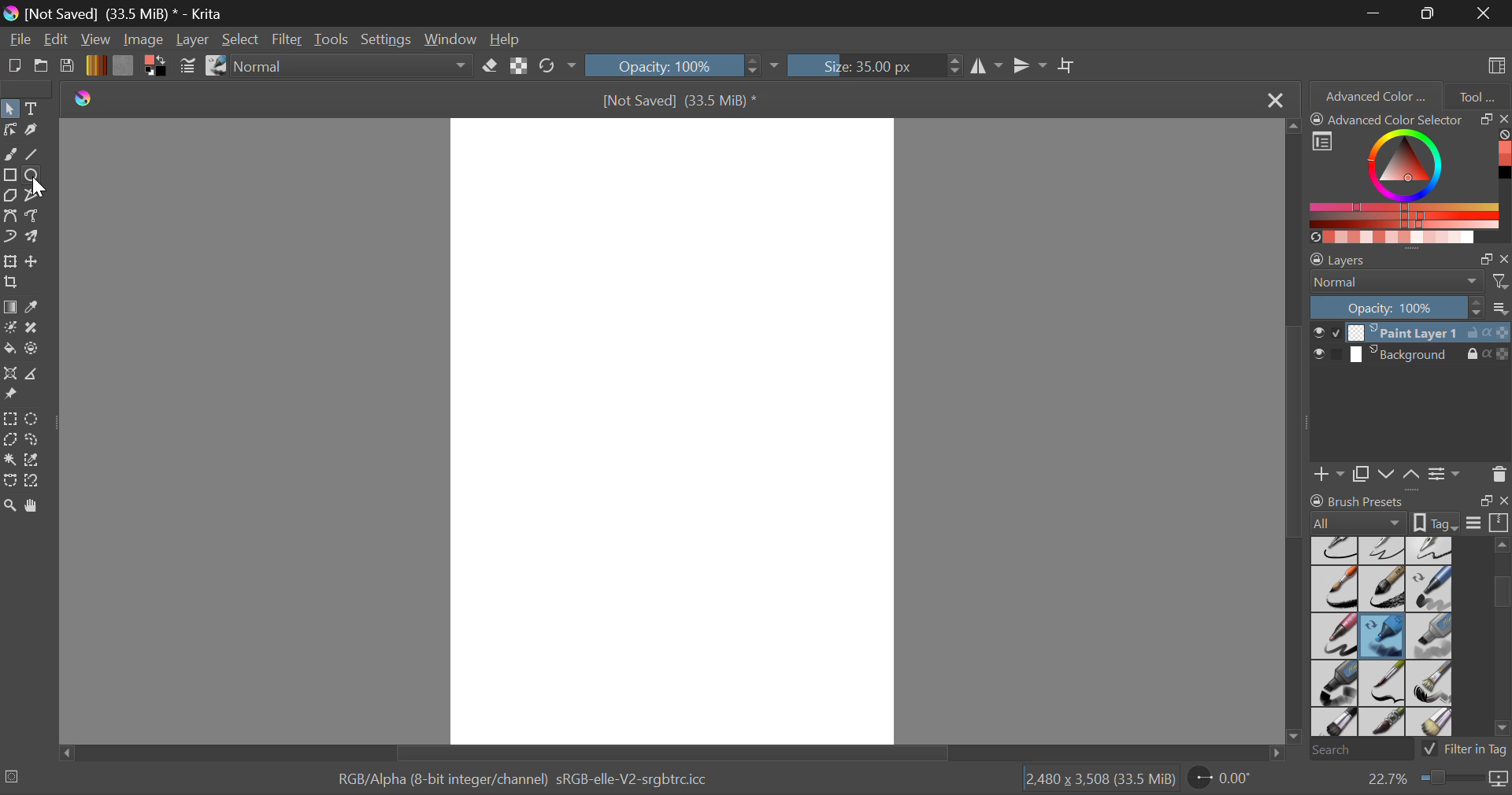  Describe the element at coordinates (1410, 357) in the screenshot. I see `Background Layer` at that location.